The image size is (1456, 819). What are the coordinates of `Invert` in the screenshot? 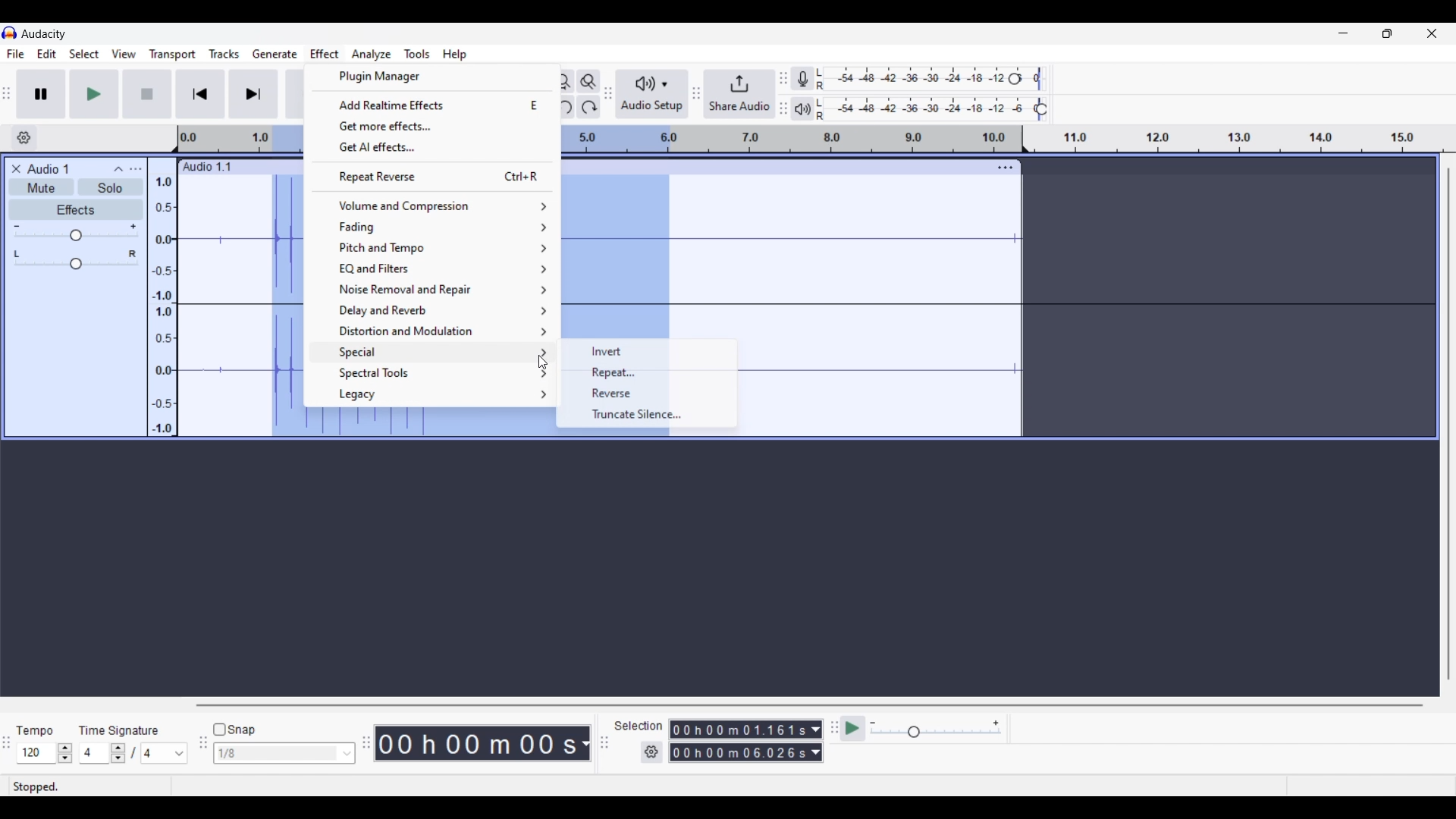 It's located at (648, 351).